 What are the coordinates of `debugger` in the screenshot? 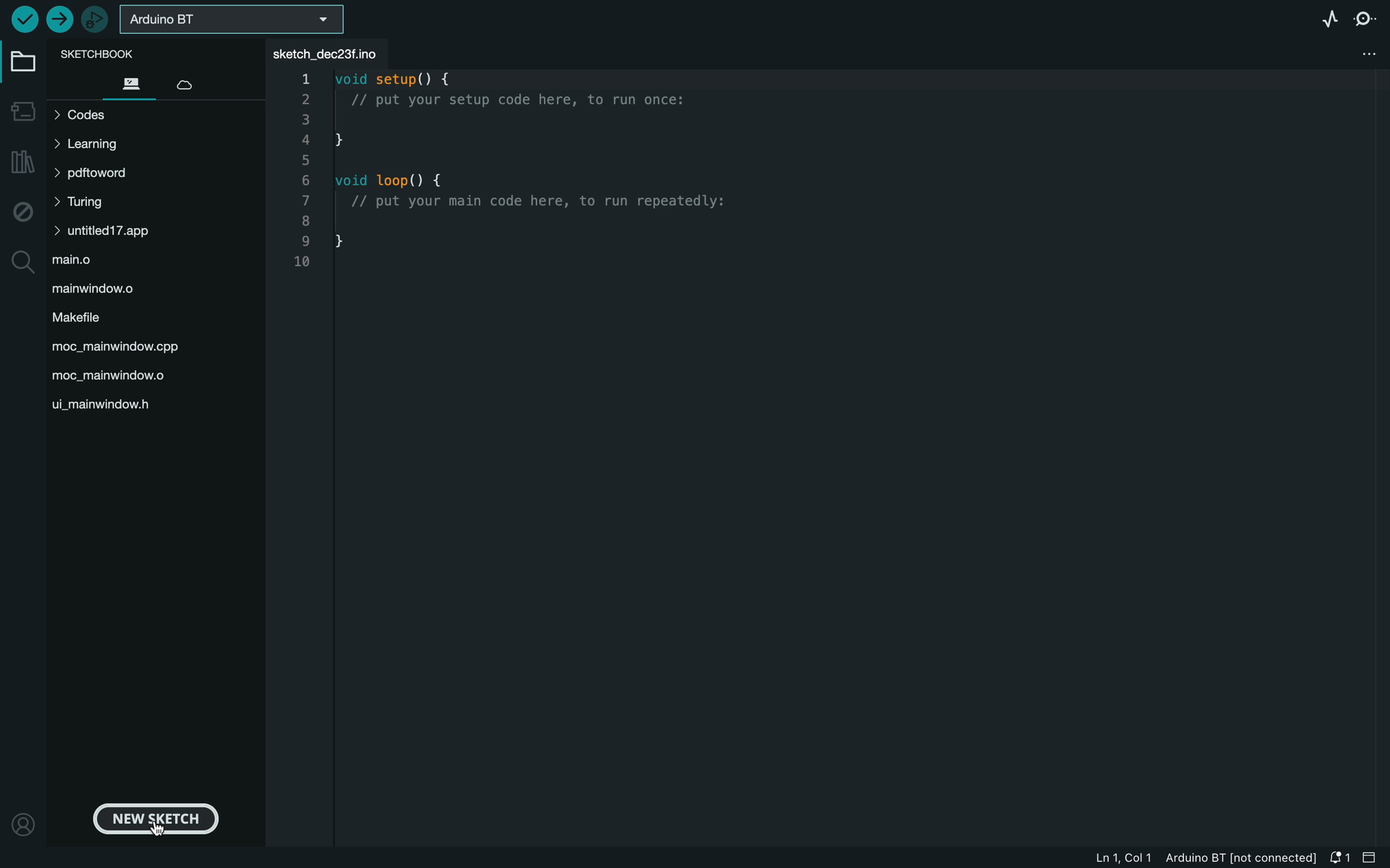 It's located at (98, 19).